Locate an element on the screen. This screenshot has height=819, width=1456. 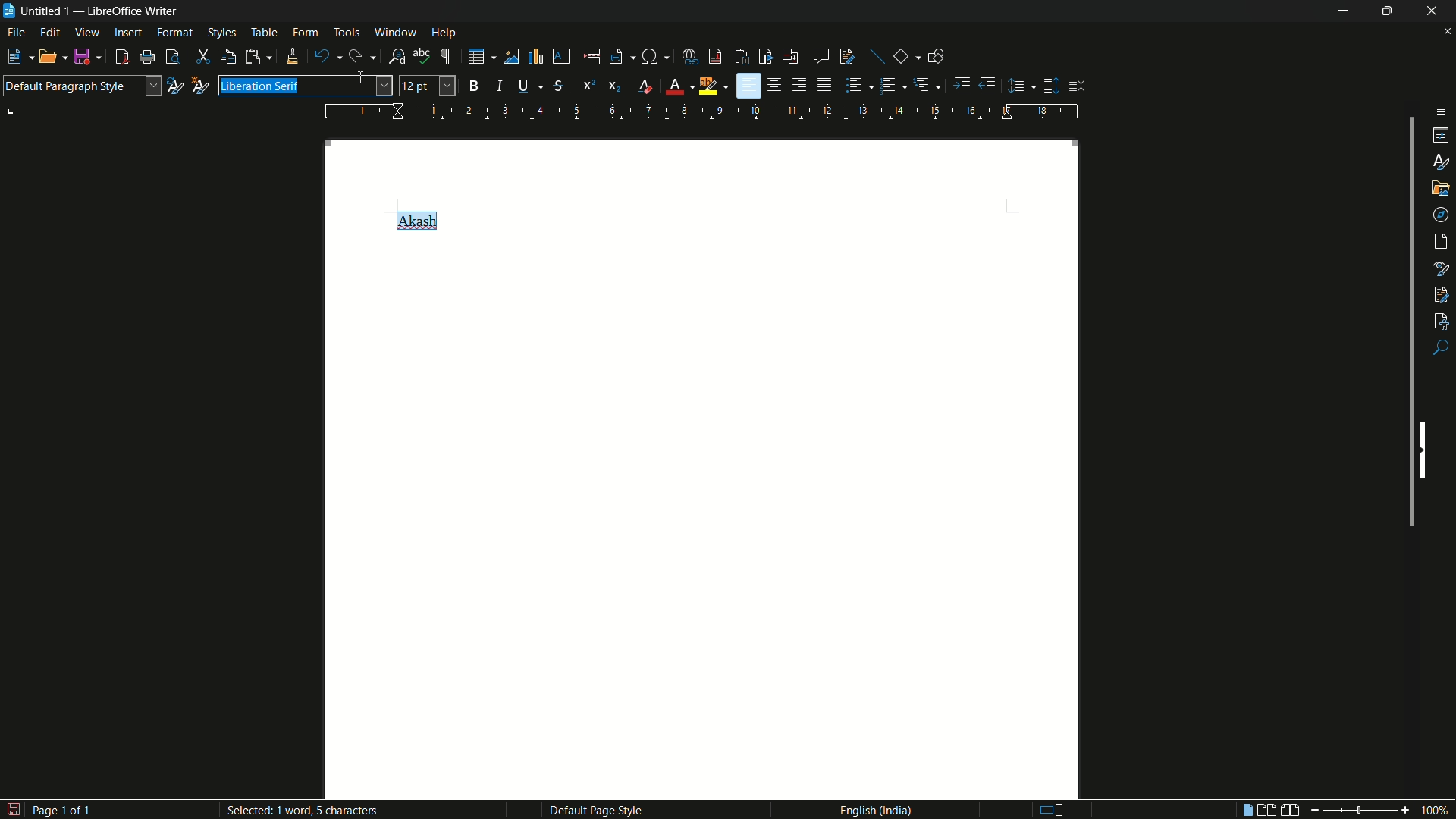
insert table is located at coordinates (476, 56).